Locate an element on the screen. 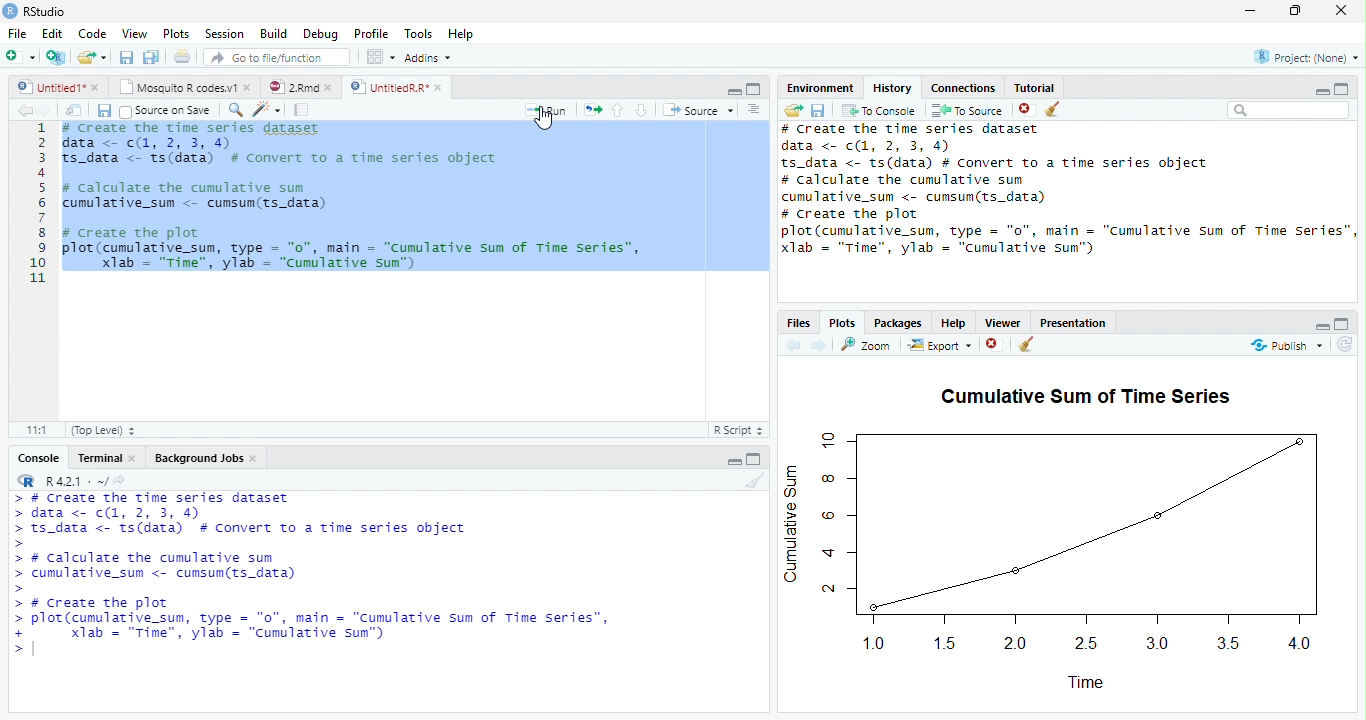 This screenshot has height=720, width=1366. Delete is located at coordinates (1023, 108).